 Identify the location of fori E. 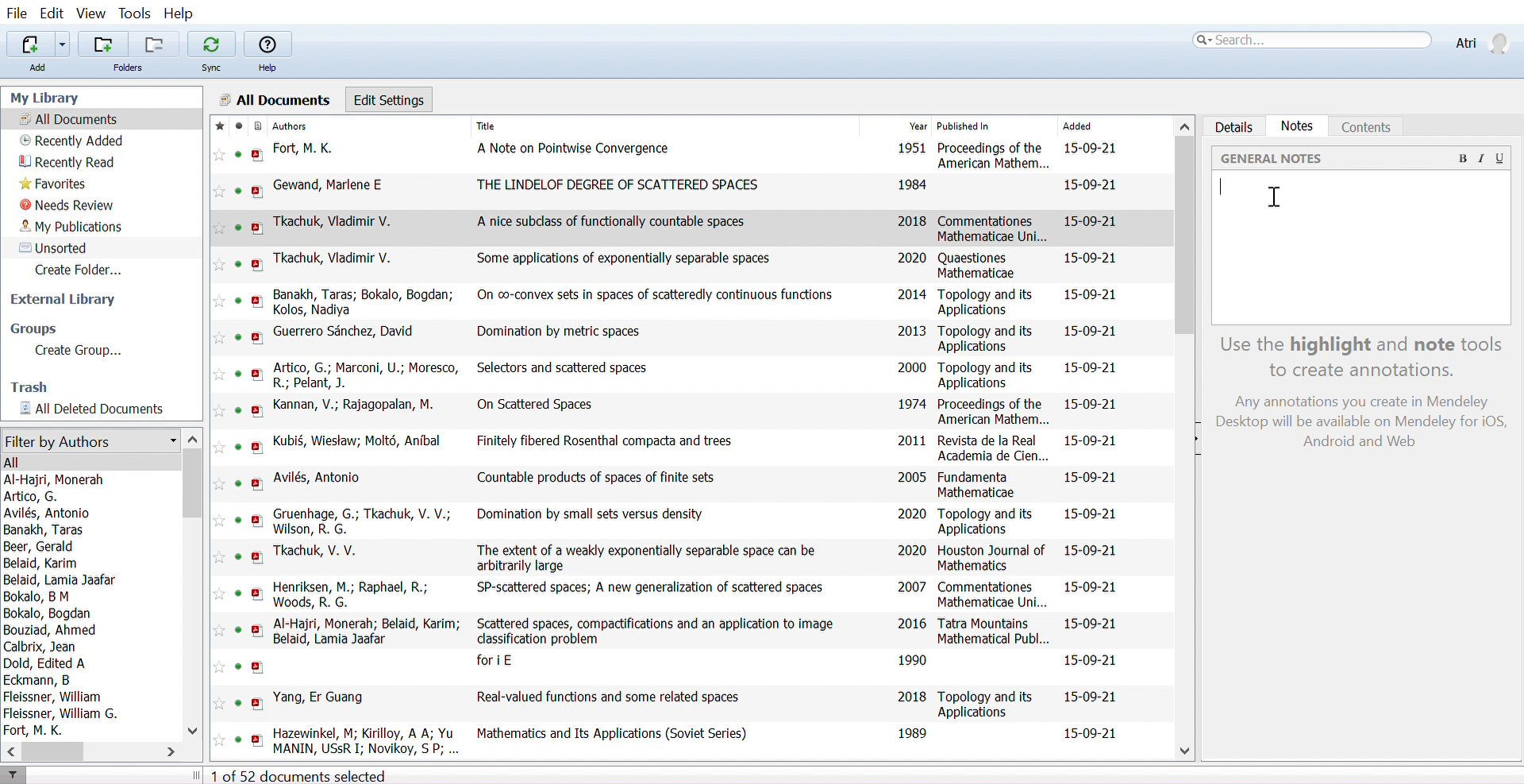
(501, 661).